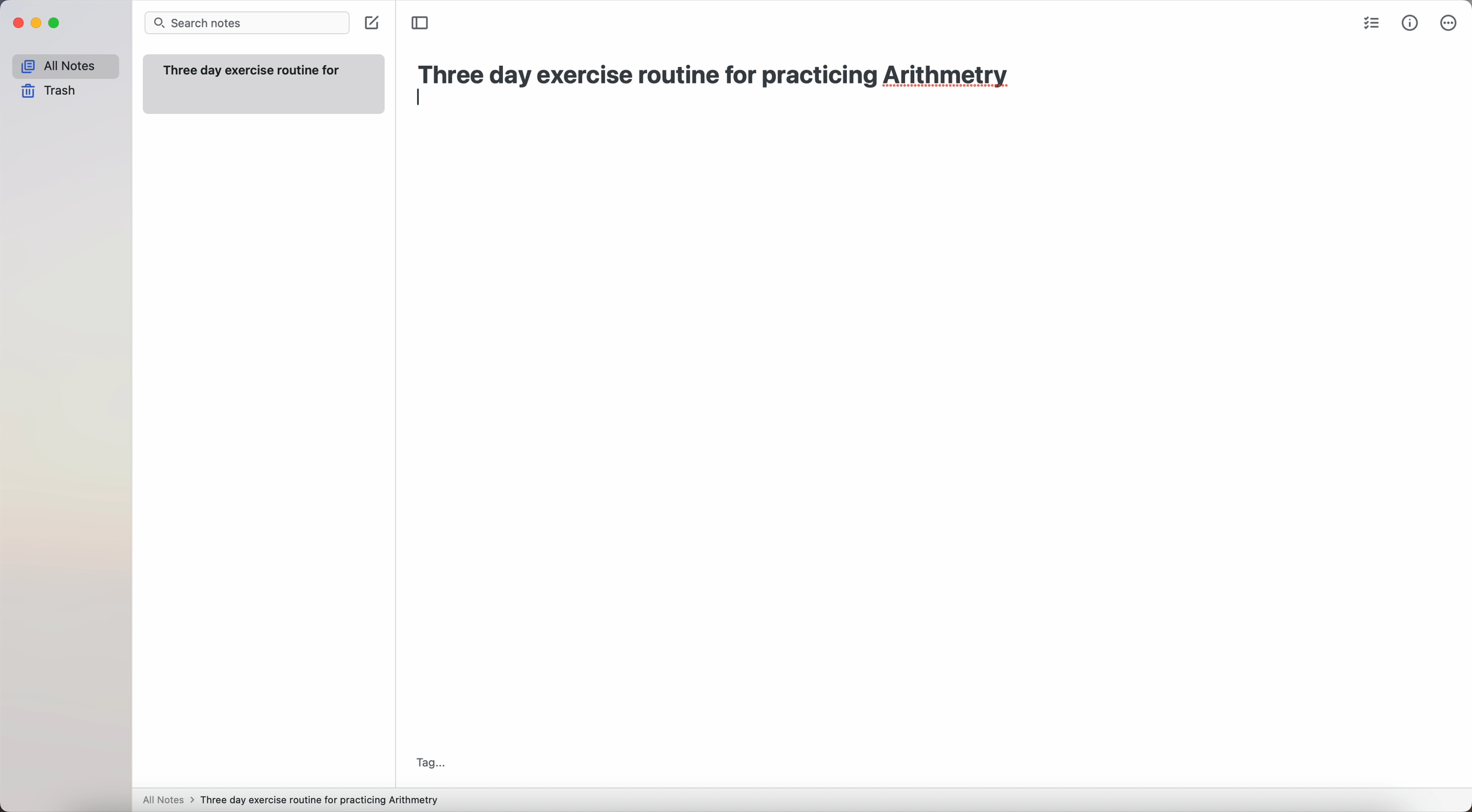 This screenshot has height=812, width=1472. I want to click on create note, so click(372, 24).